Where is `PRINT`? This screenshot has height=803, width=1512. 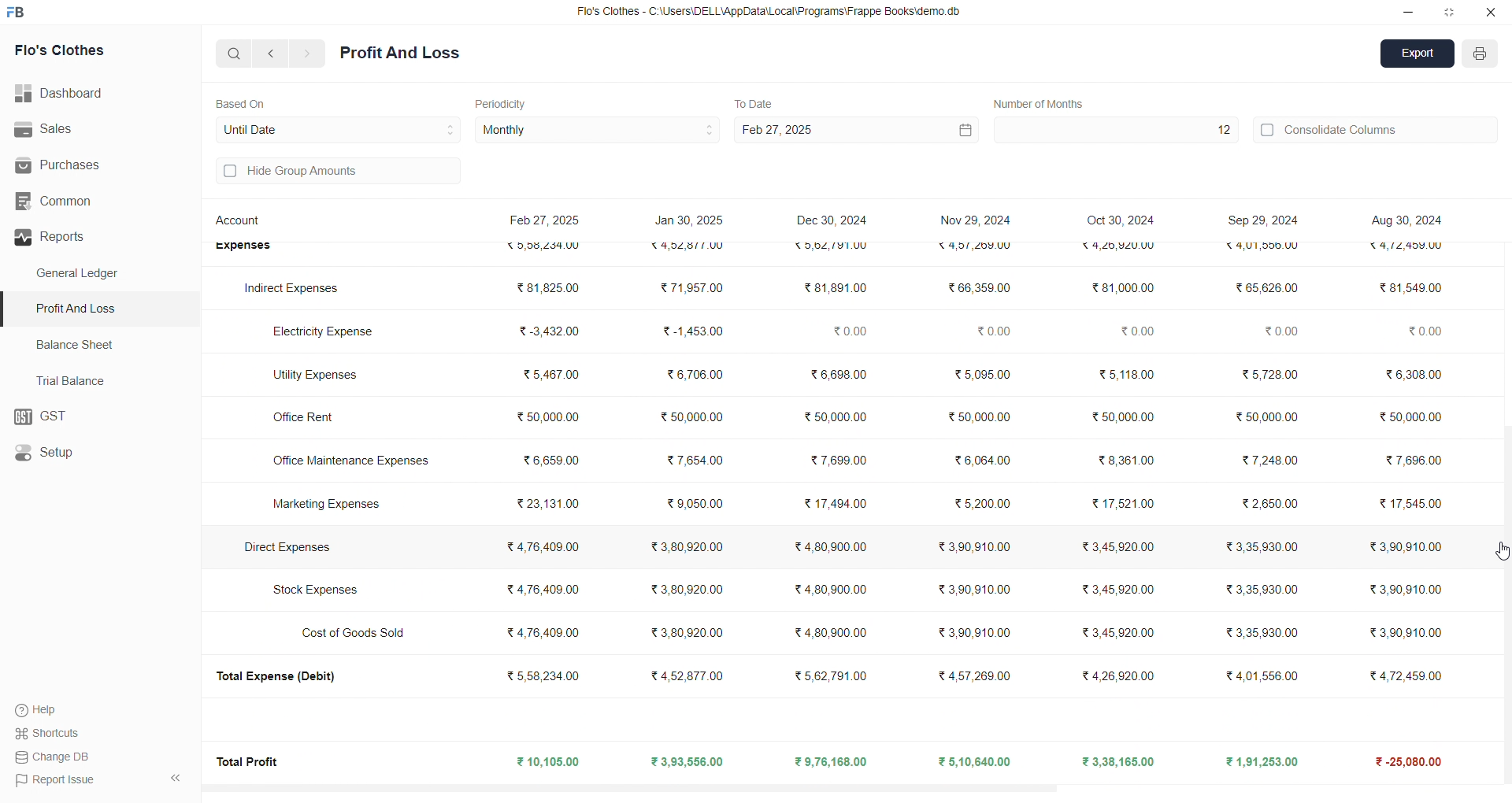
PRINT is located at coordinates (1480, 56).